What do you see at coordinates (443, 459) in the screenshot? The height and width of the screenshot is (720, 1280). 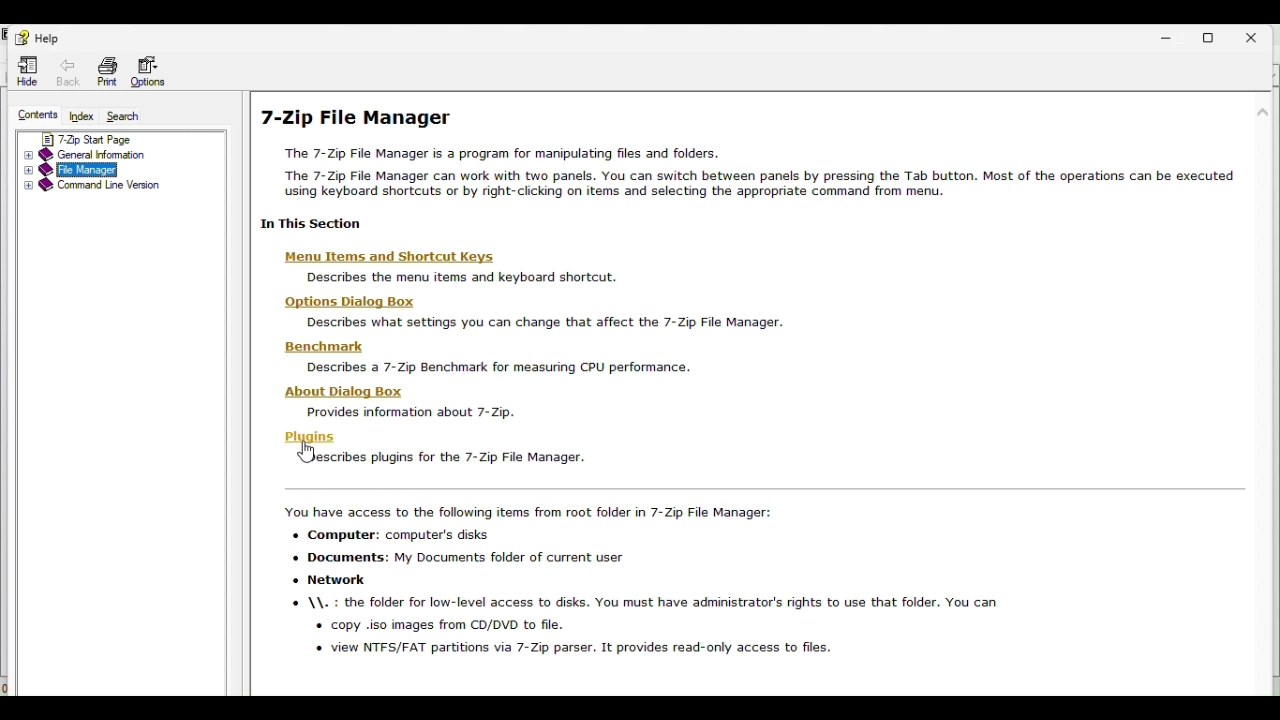 I see `| SJescribes plugins for the 7-Zip File Manager.` at bounding box center [443, 459].